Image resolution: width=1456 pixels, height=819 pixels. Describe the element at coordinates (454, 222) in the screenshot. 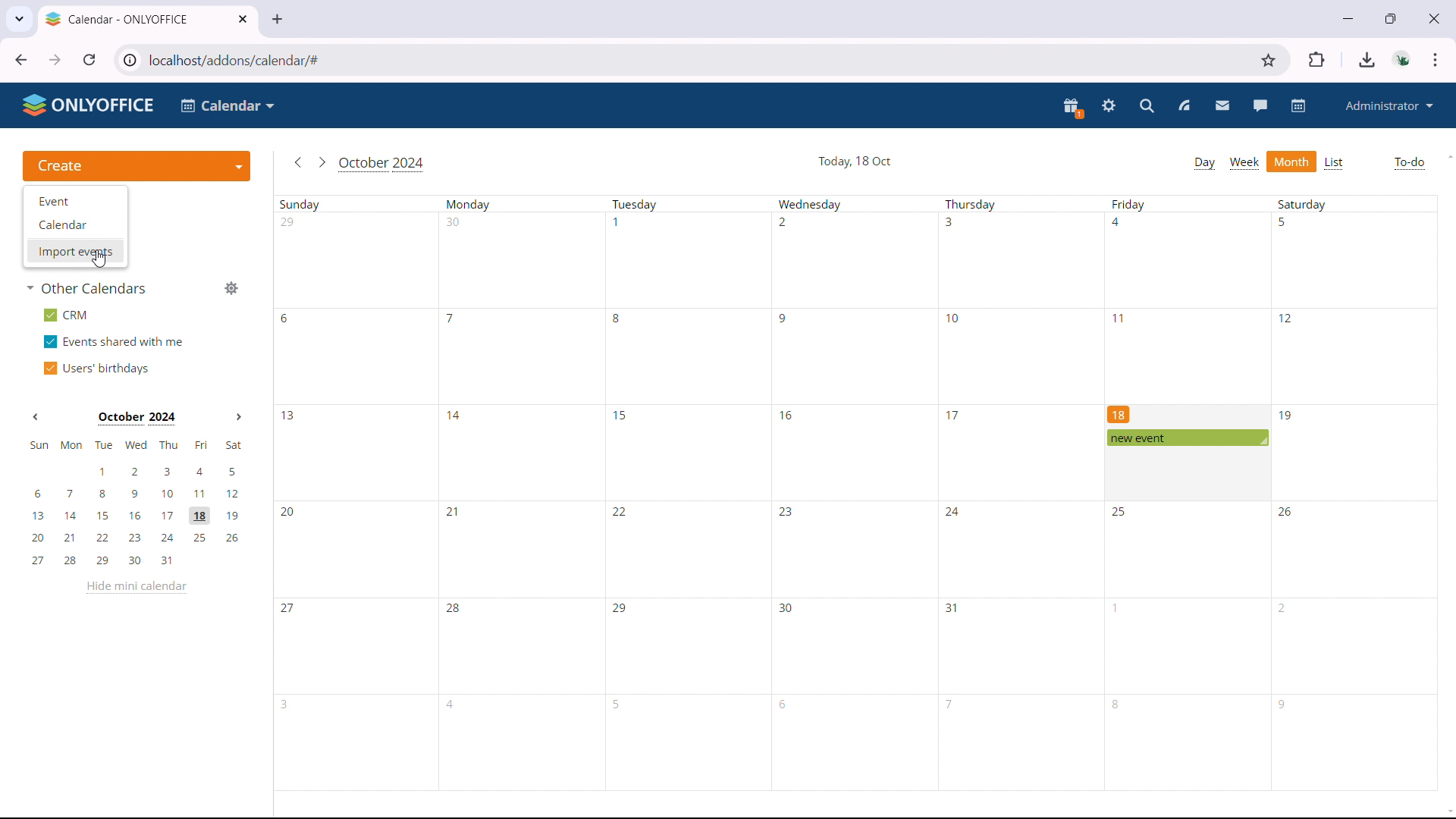

I see `30` at that location.